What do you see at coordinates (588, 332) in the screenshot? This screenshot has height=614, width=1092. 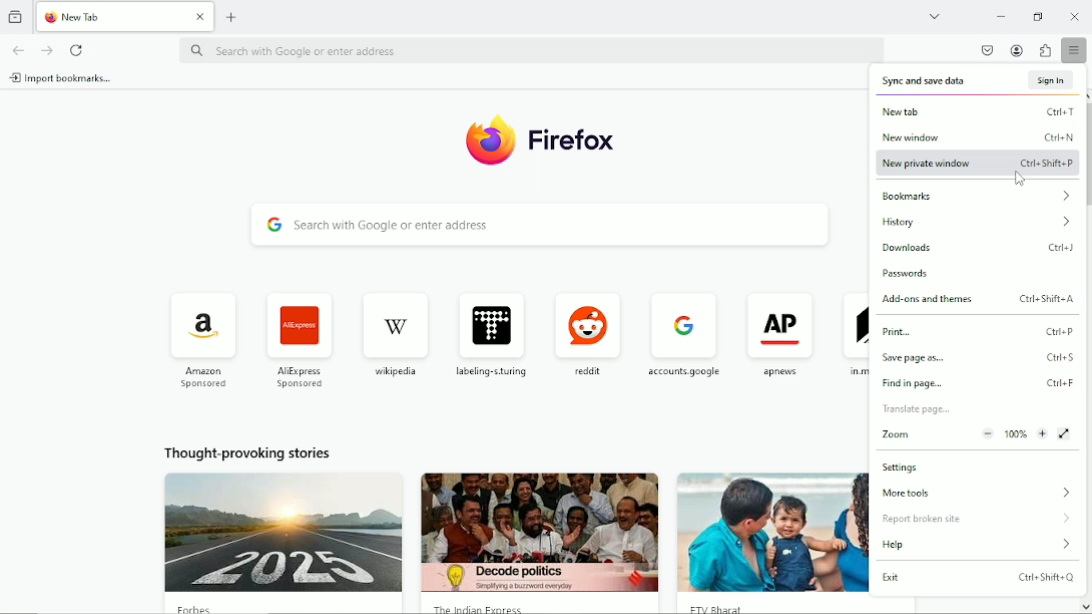 I see `reddit` at bounding box center [588, 332].